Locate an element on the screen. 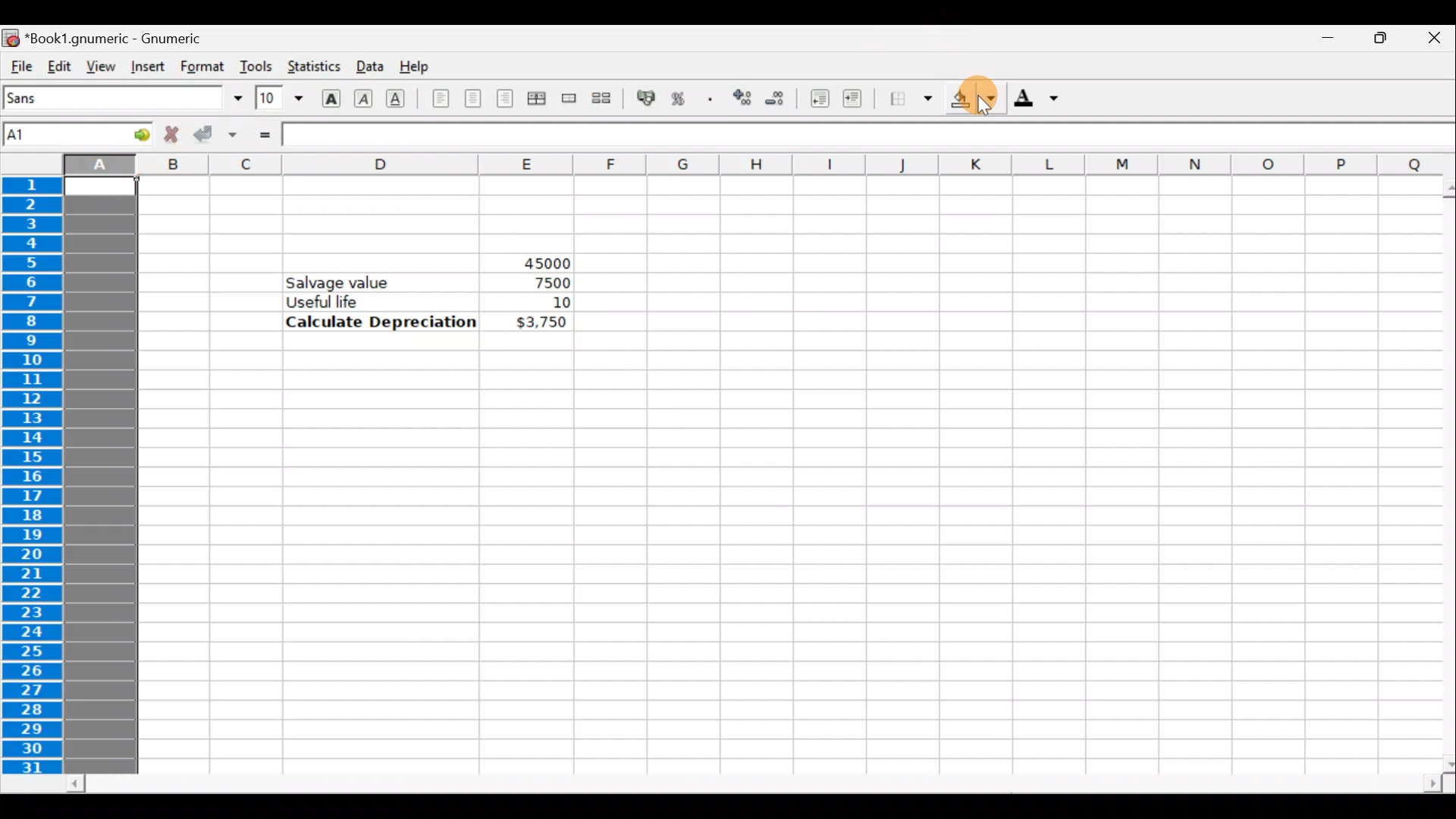  Include thousands separator is located at coordinates (711, 99).